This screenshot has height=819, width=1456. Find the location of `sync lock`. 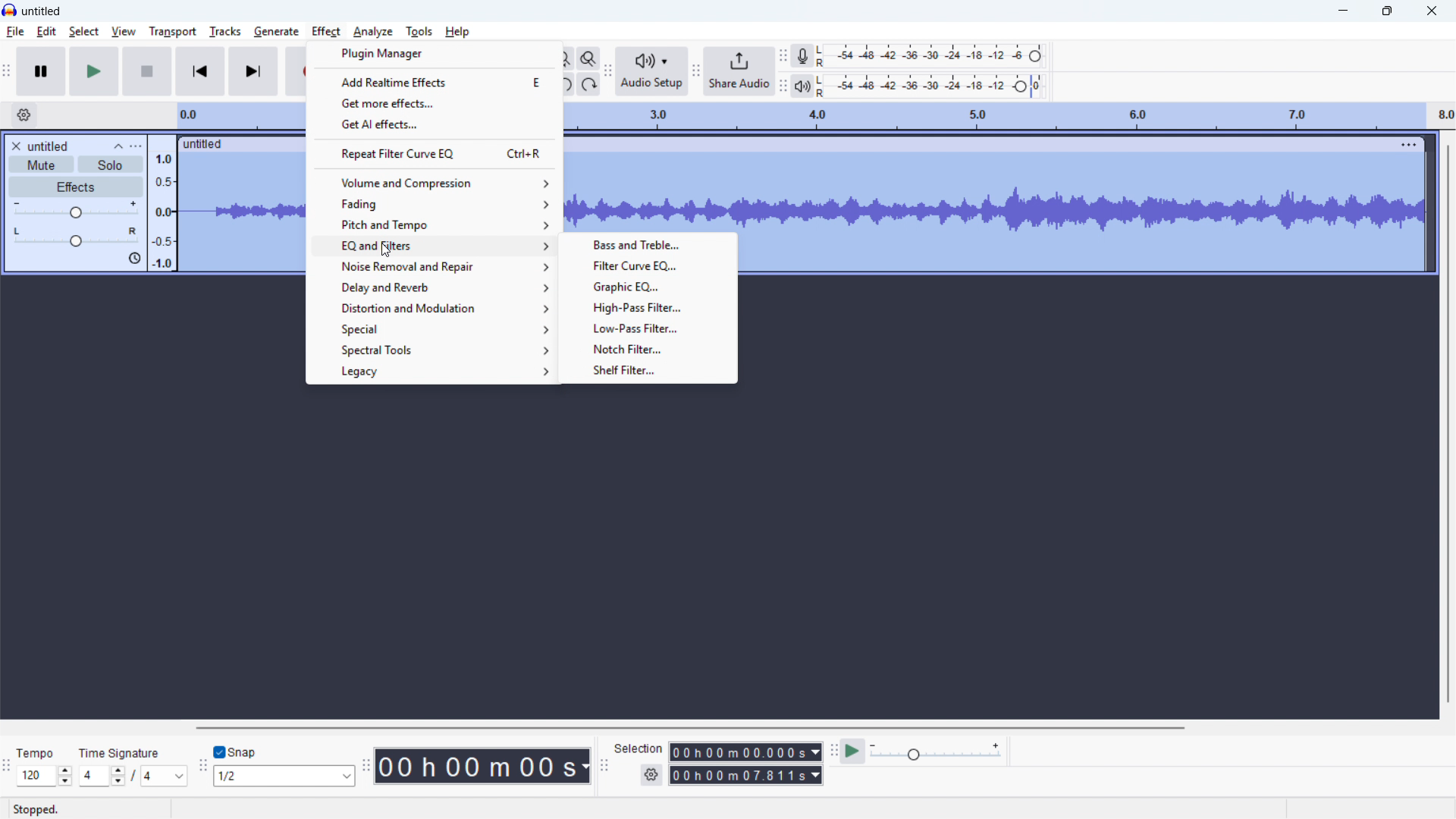

sync lock is located at coordinates (133, 259).